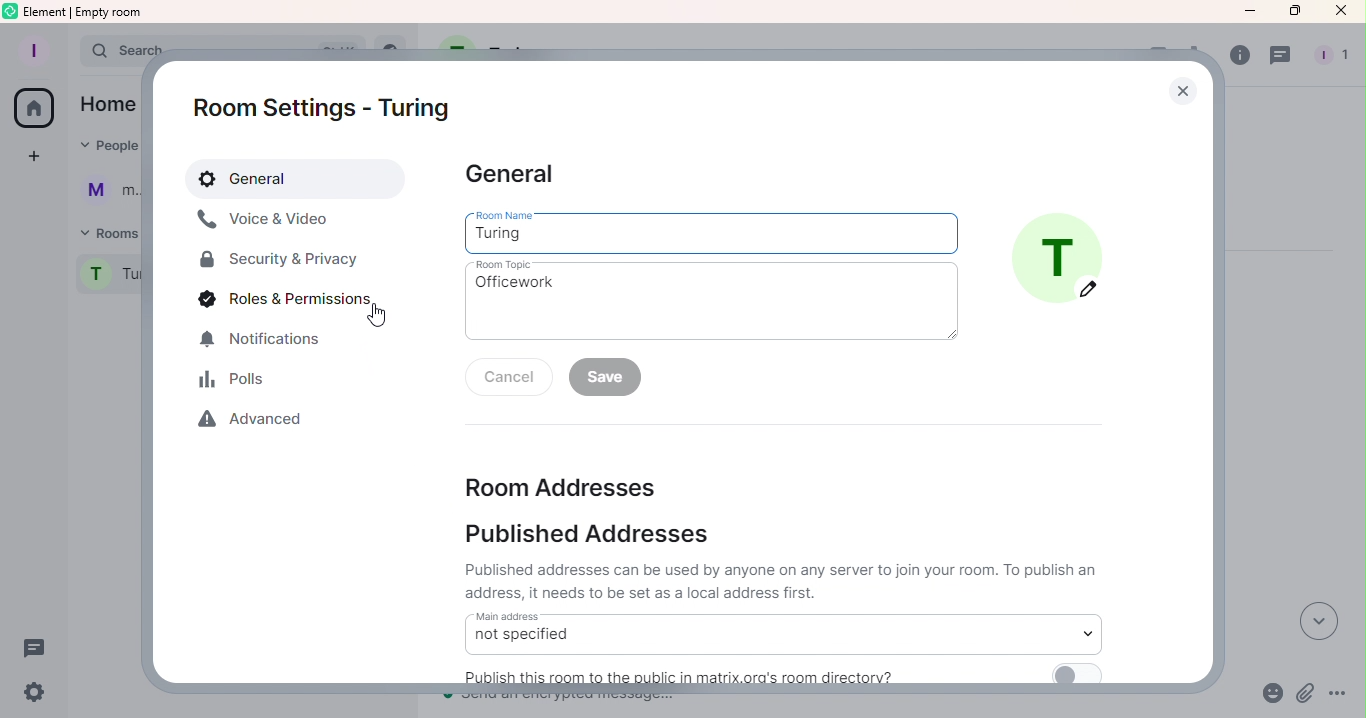 The image size is (1366, 718). I want to click on Turing, so click(710, 232).